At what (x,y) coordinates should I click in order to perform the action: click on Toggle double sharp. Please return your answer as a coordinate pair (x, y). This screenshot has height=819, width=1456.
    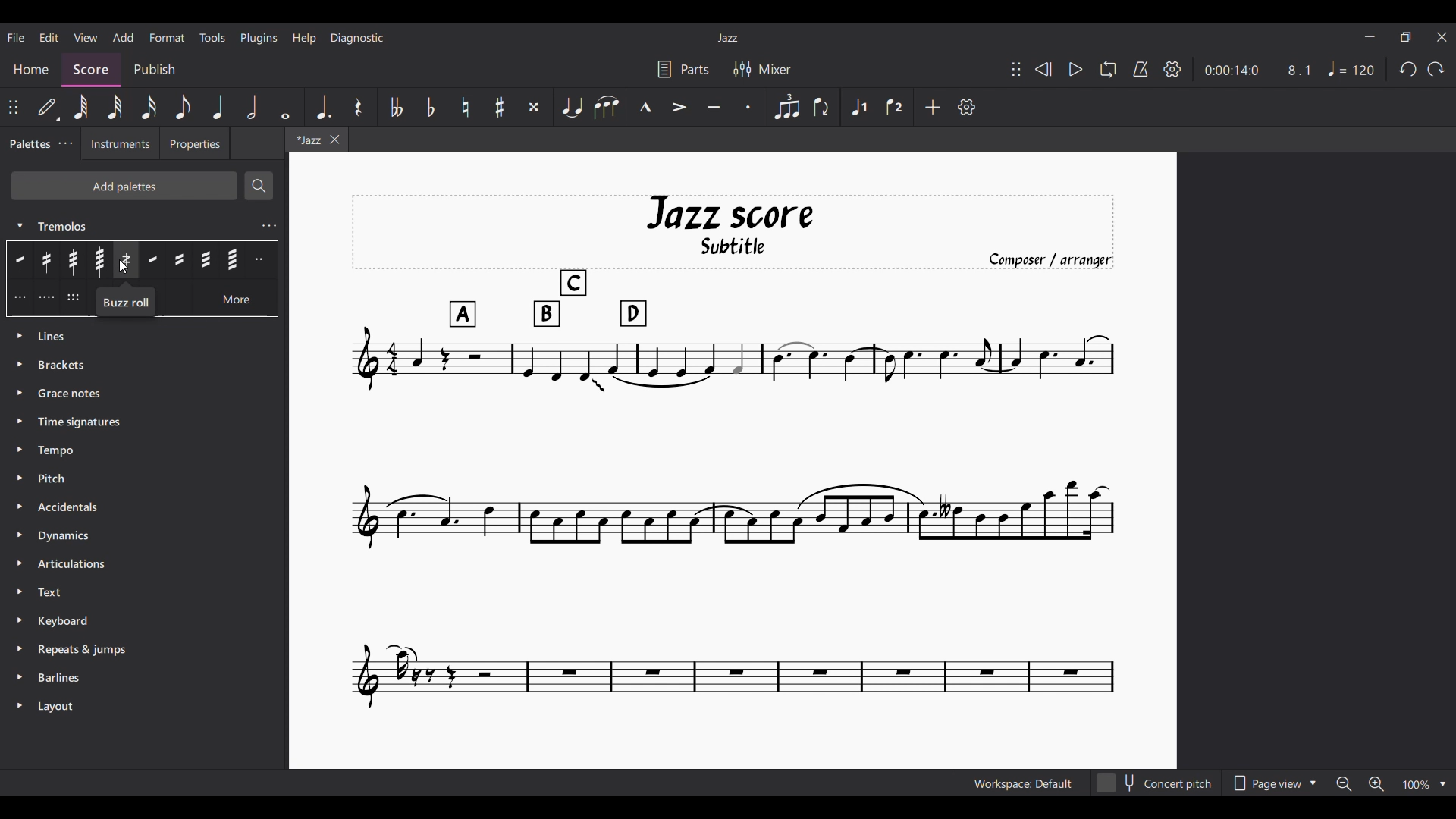
    Looking at the image, I should click on (534, 107).